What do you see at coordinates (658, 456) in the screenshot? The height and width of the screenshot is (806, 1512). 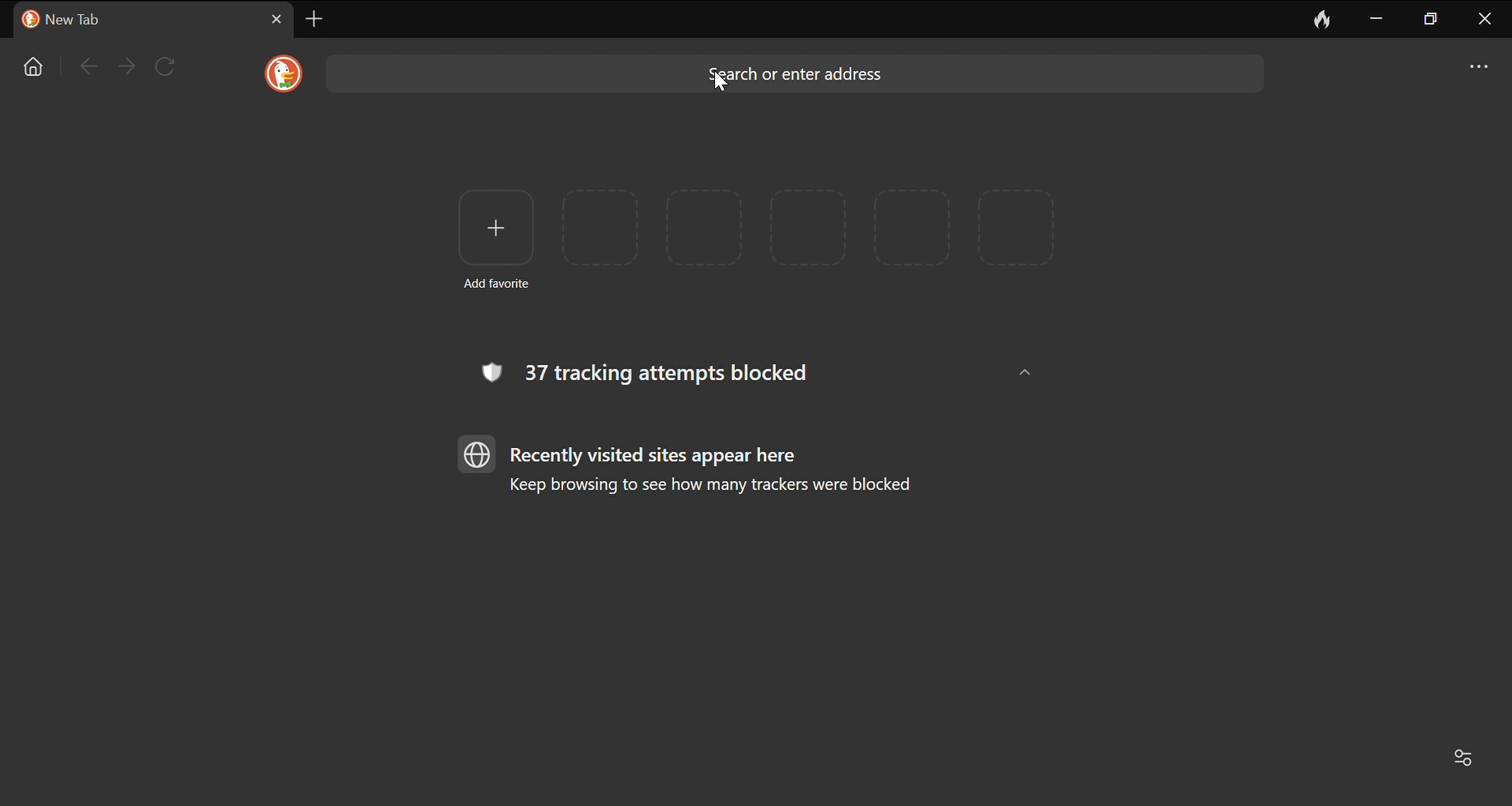 I see `Recently visited sites appear here` at bounding box center [658, 456].